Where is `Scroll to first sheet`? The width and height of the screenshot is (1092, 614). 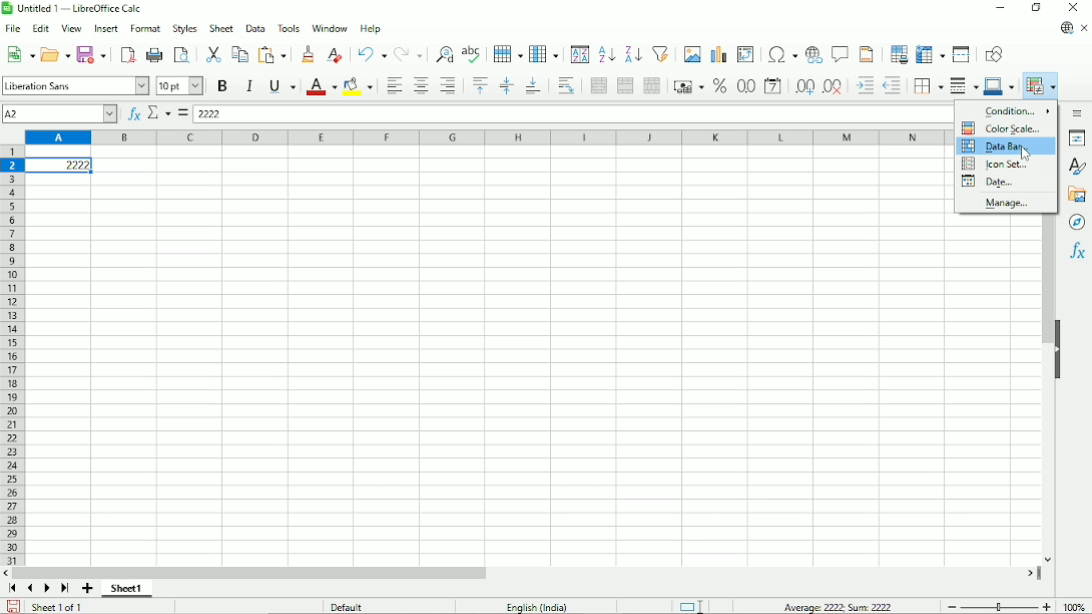 Scroll to first sheet is located at coordinates (12, 588).